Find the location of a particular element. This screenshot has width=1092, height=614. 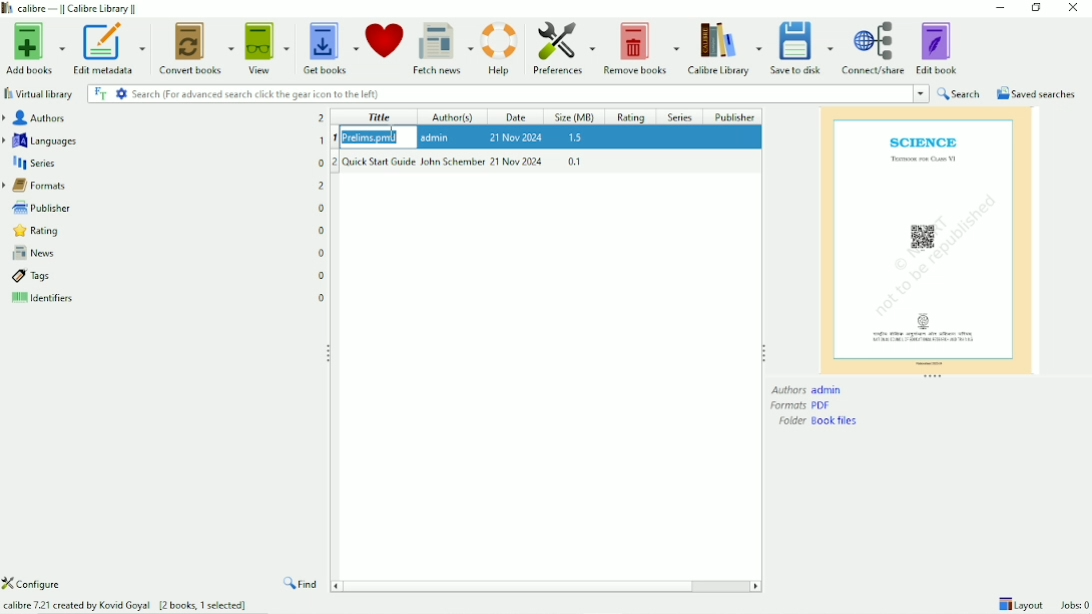

1.5 is located at coordinates (576, 138).